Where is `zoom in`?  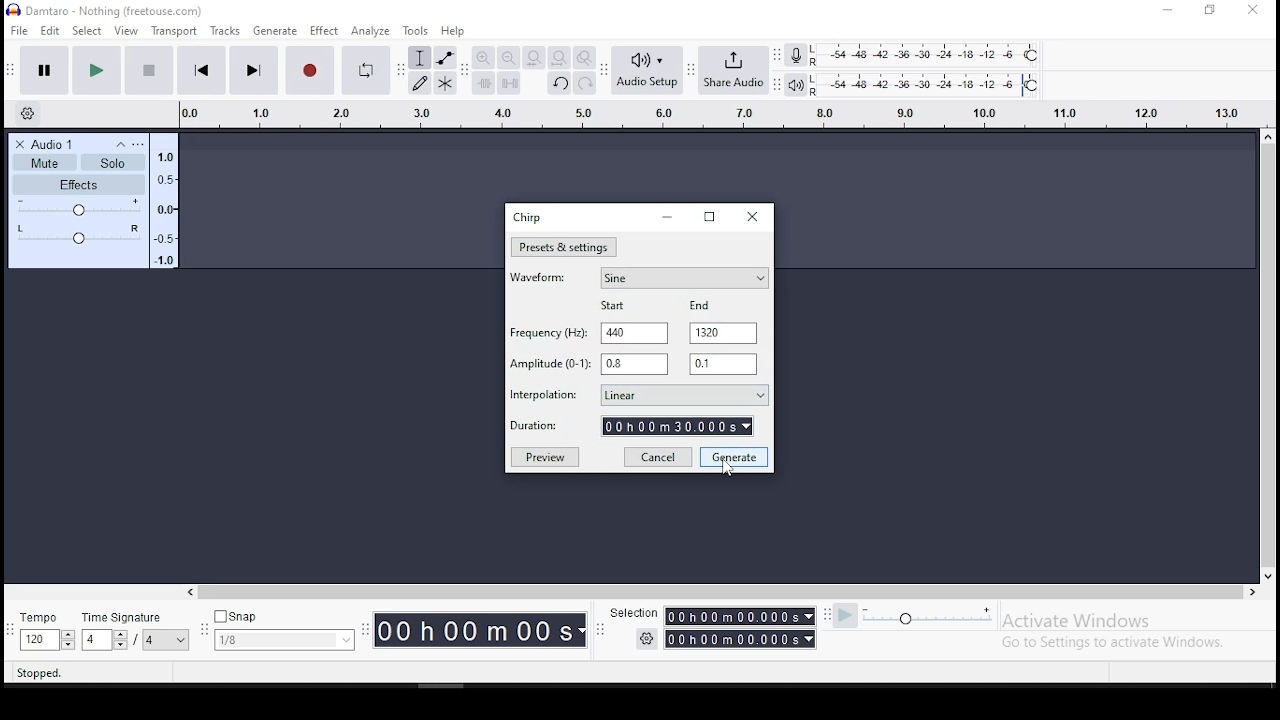
zoom in is located at coordinates (482, 58).